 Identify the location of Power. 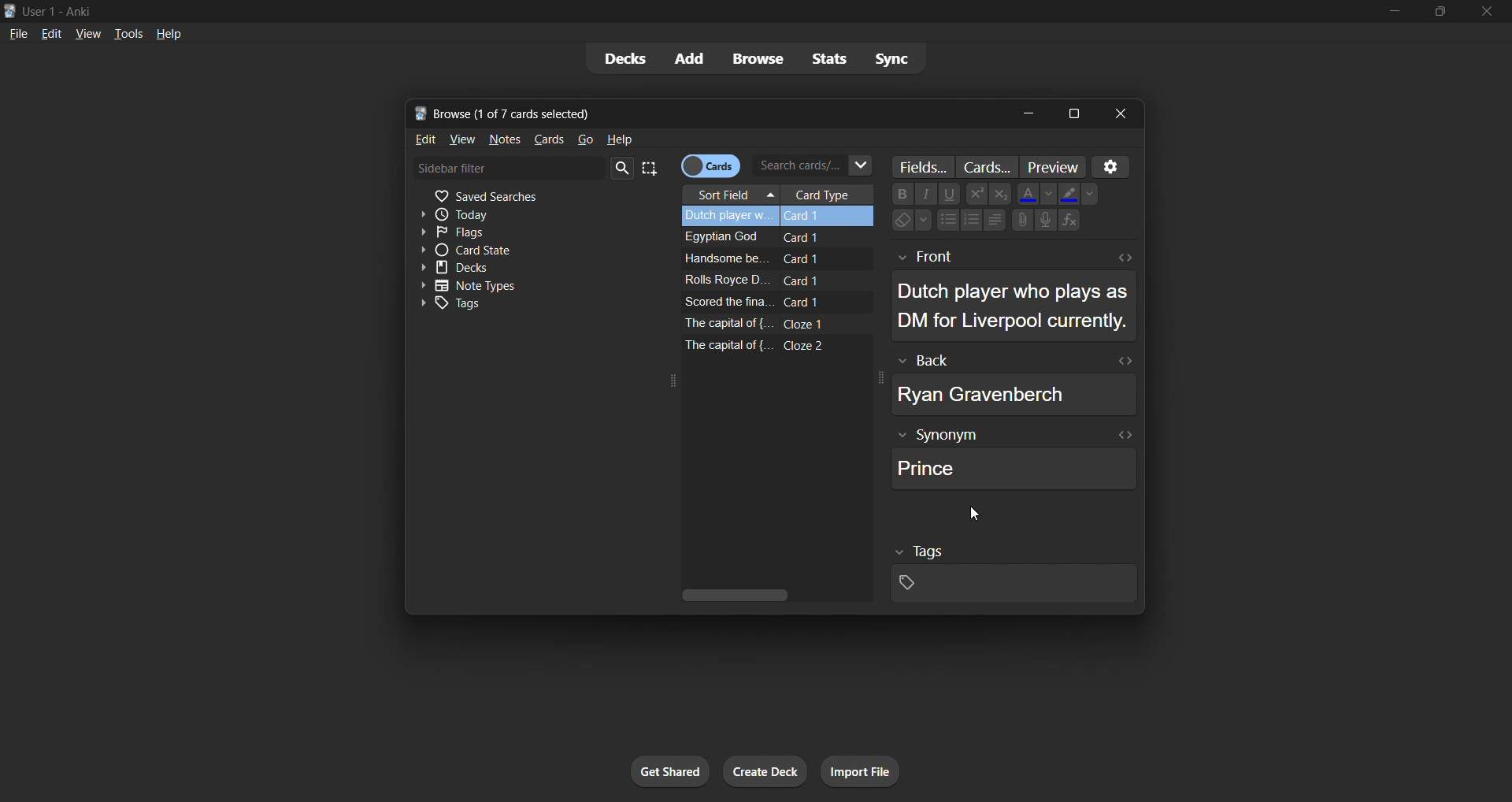
(976, 192).